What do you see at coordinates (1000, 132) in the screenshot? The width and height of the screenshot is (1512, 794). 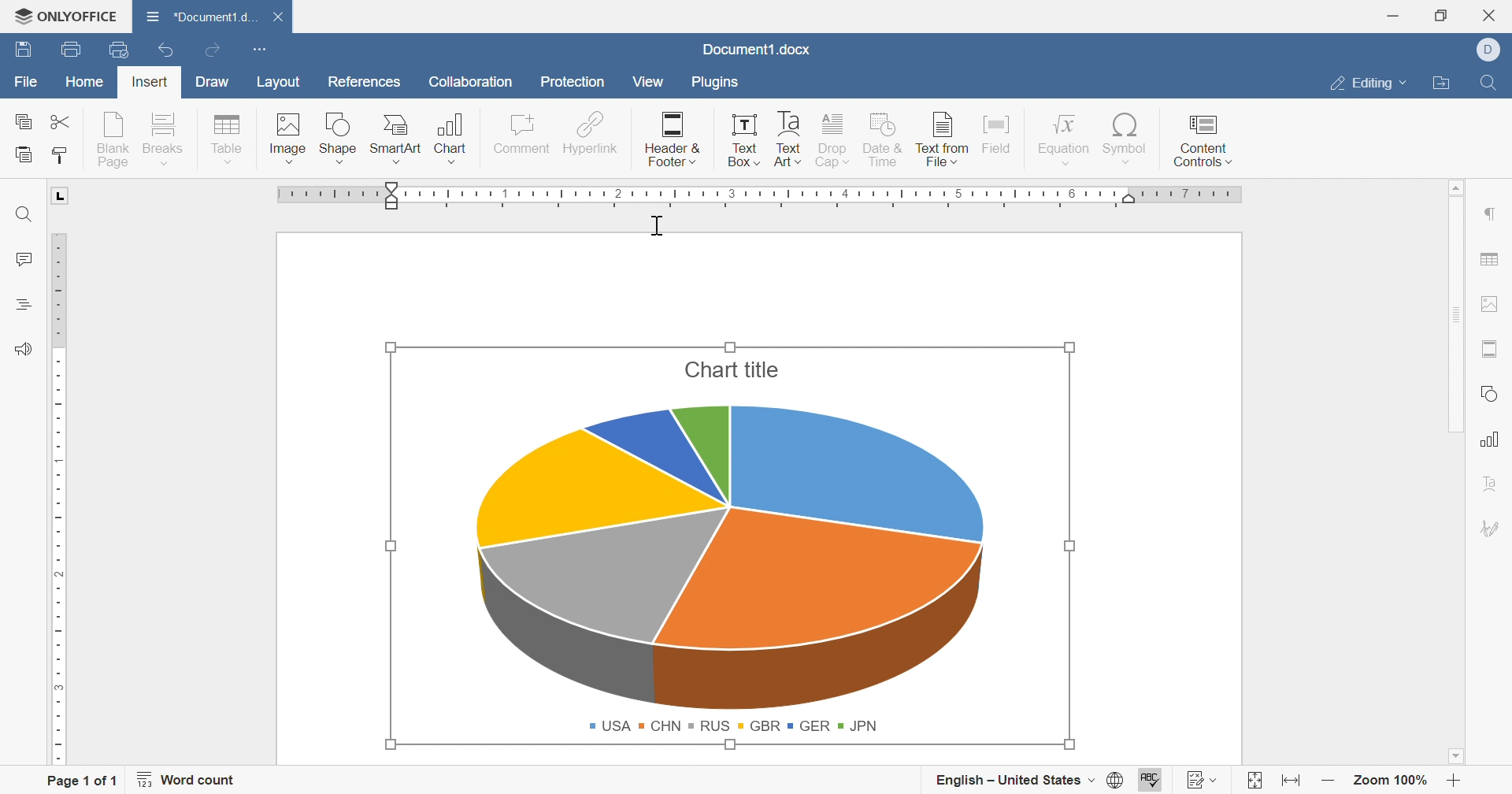 I see `Field` at bounding box center [1000, 132].